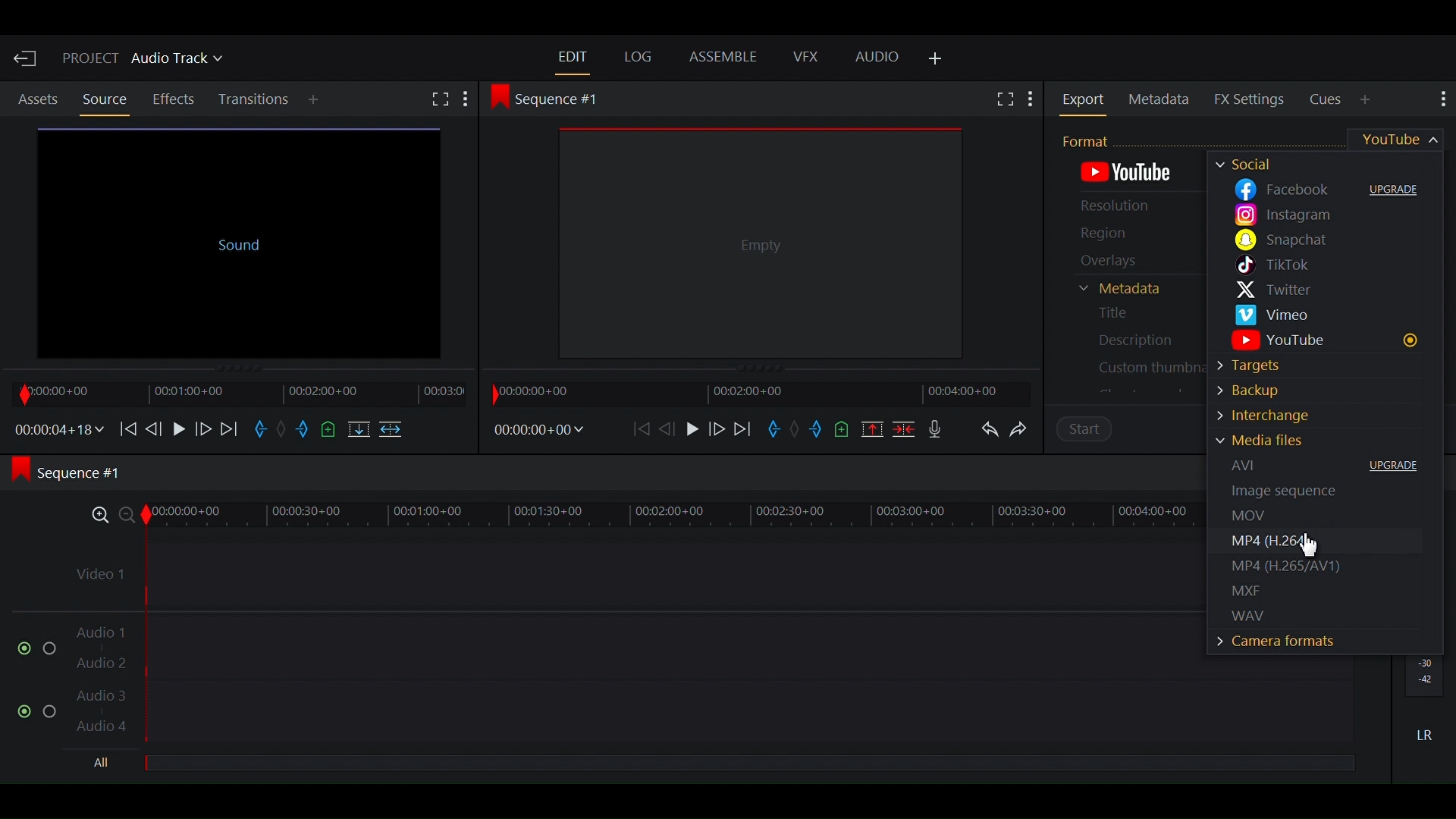 The image size is (1456, 819). I want to click on Fullscreen, so click(440, 101).